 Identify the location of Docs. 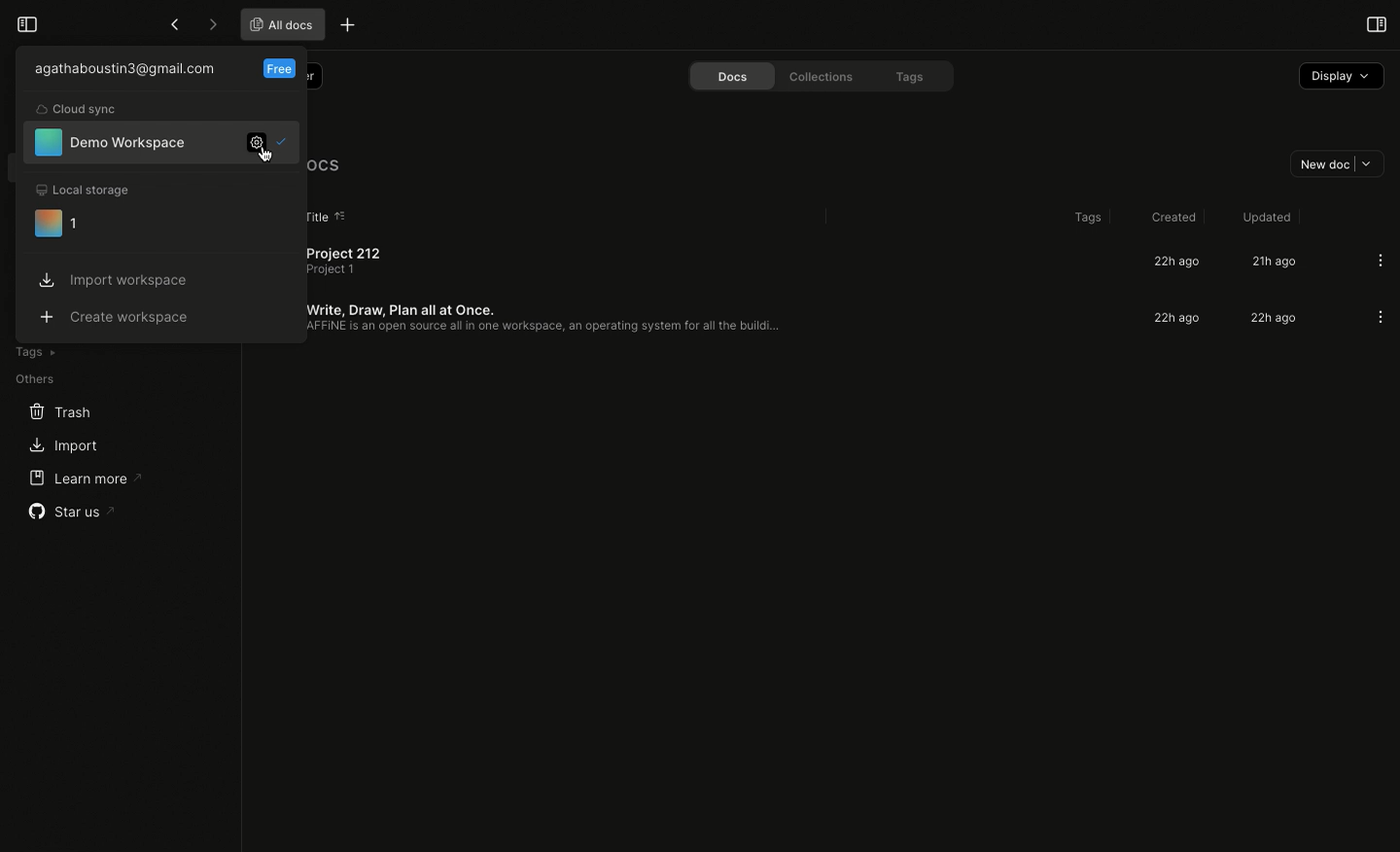
(727, 75).